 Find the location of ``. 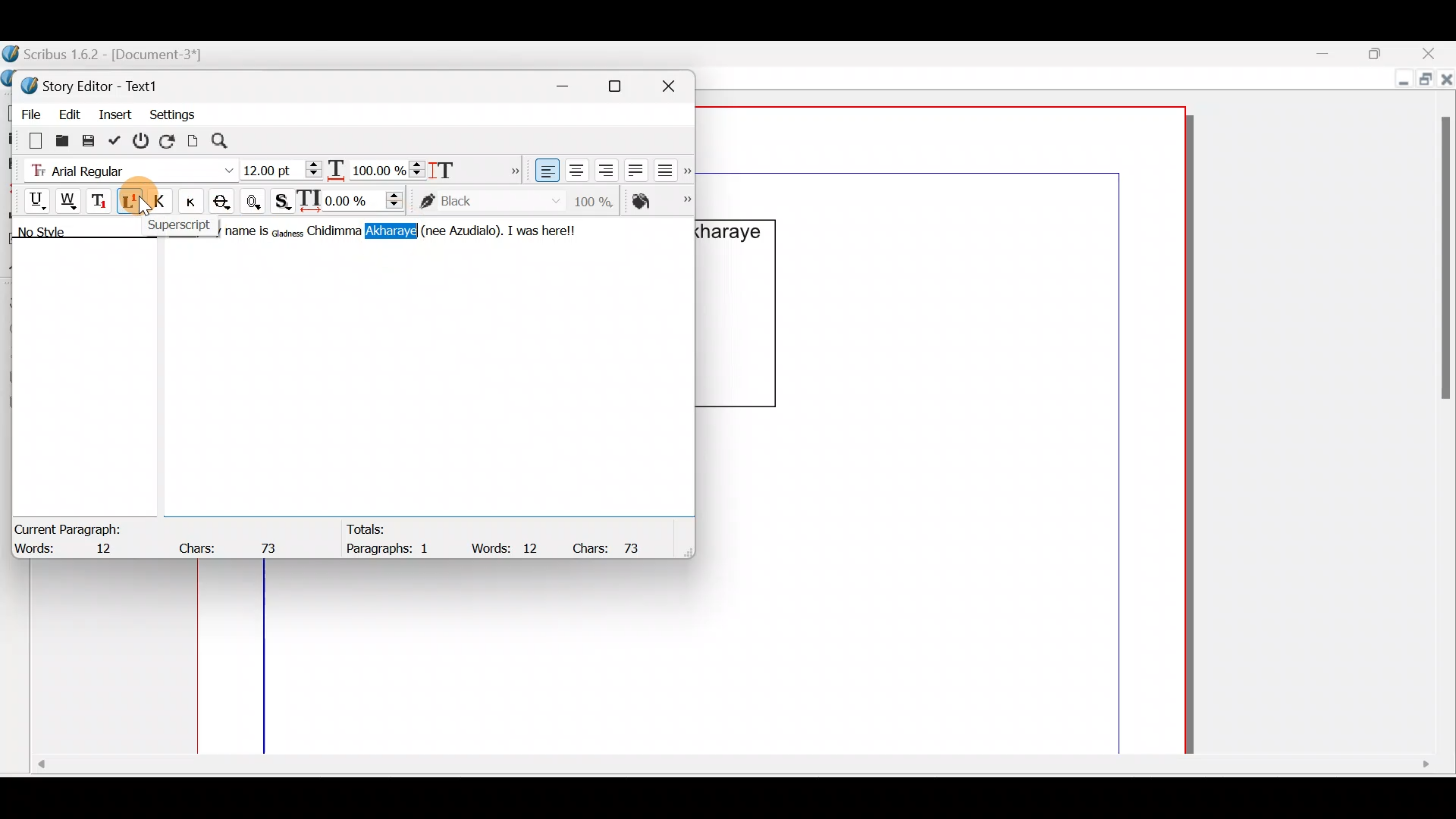

 is located at coordinates (196, 201).